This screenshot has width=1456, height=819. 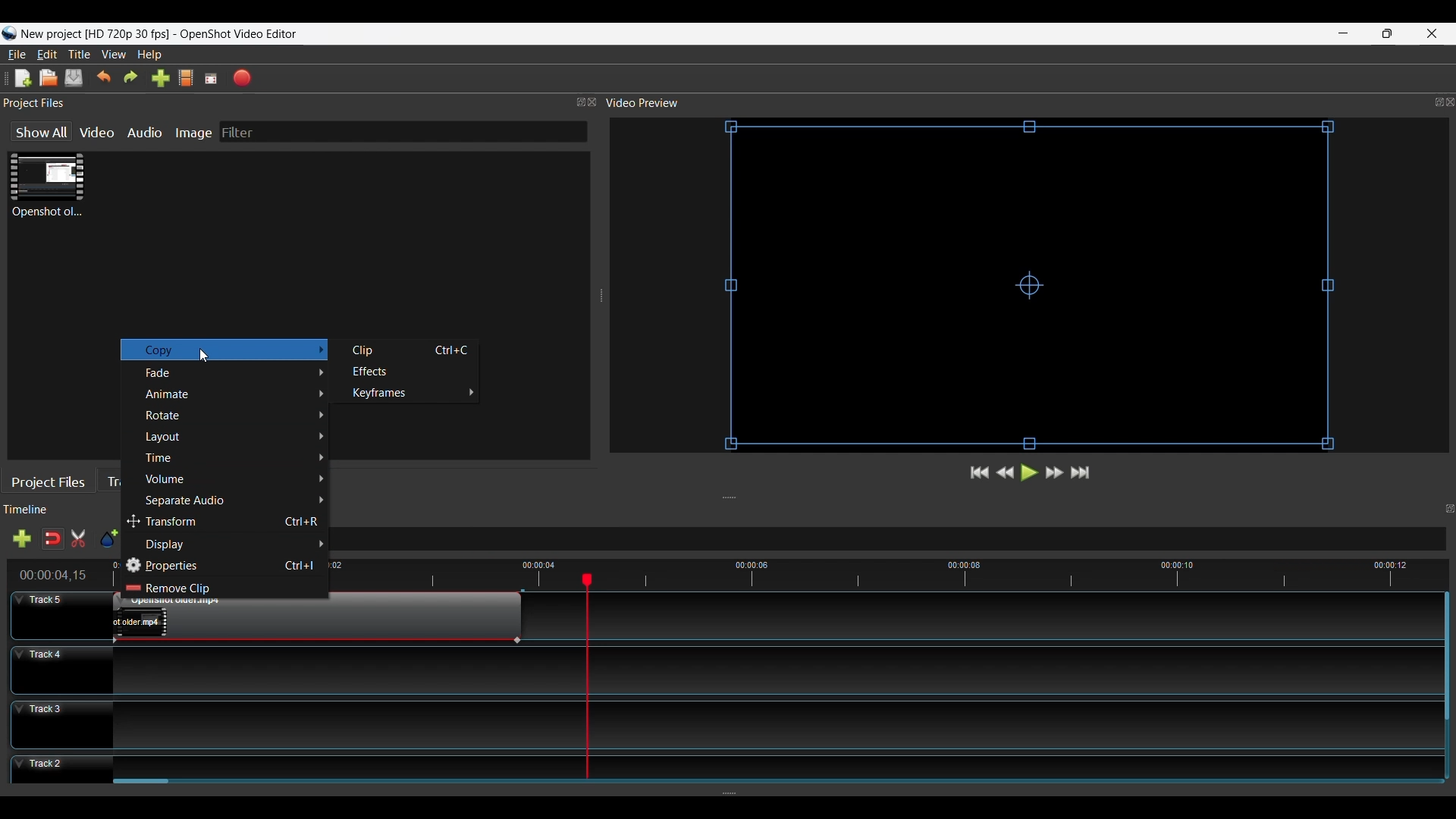 What do you see at coordinates (1034, 287) in the screenshot?
I see `Preview Window` at bounding box center [1034, 287].